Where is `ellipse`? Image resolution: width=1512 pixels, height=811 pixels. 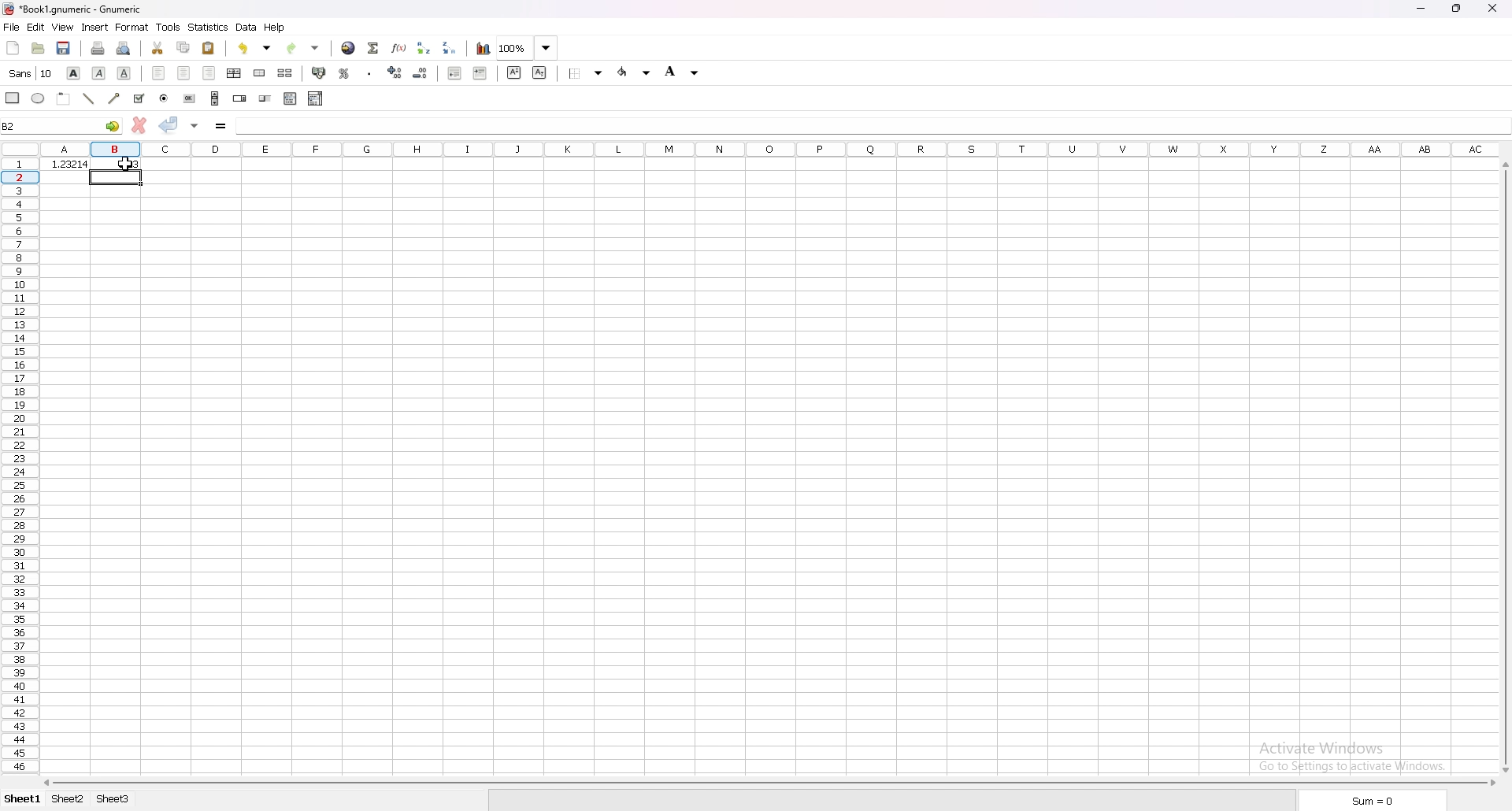 ellipse is located at coordinates (38, 98).